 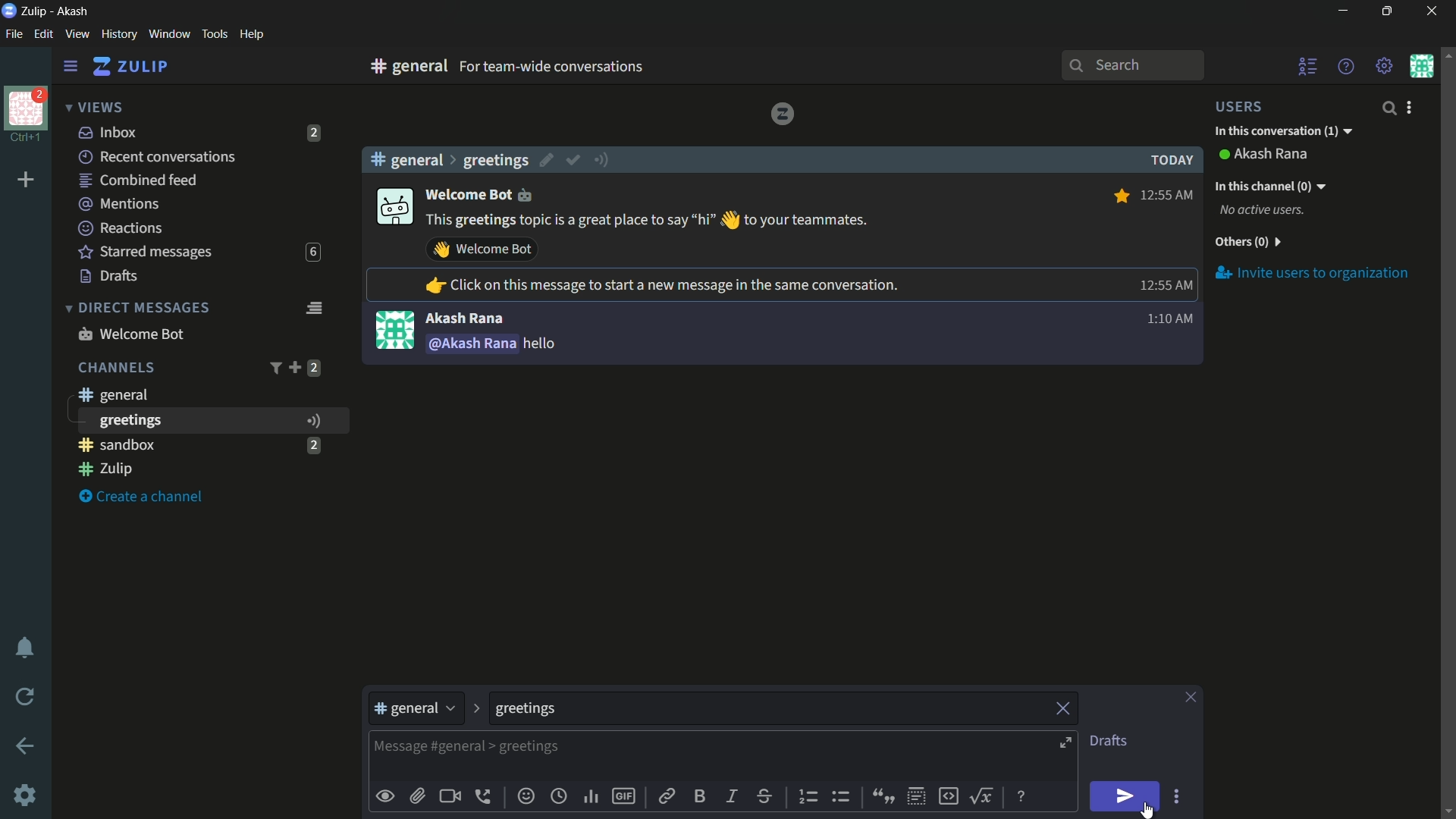 I want to click on file menu, so click(x=14, y=35).